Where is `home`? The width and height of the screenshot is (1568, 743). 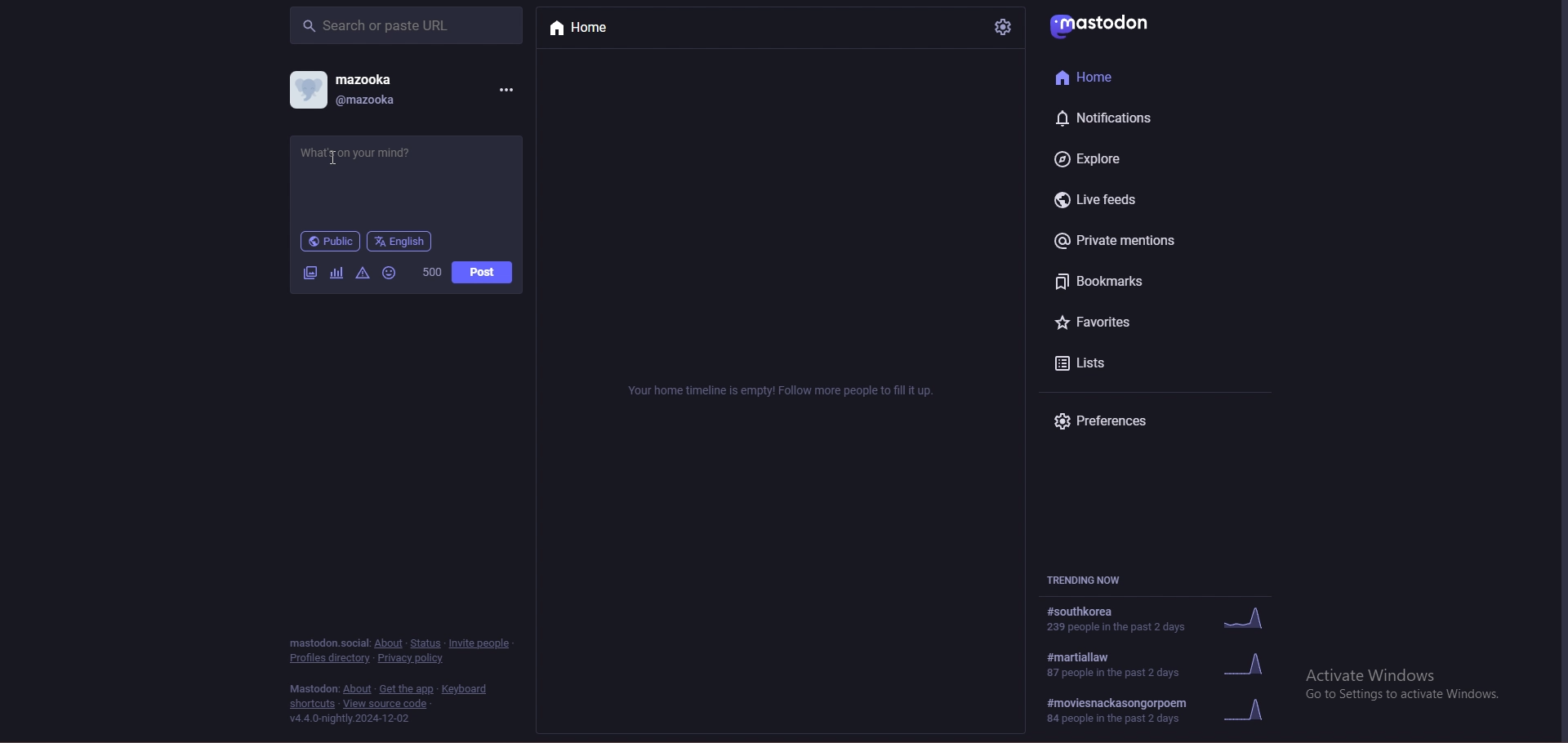 home is located at coordinates (595, 29).